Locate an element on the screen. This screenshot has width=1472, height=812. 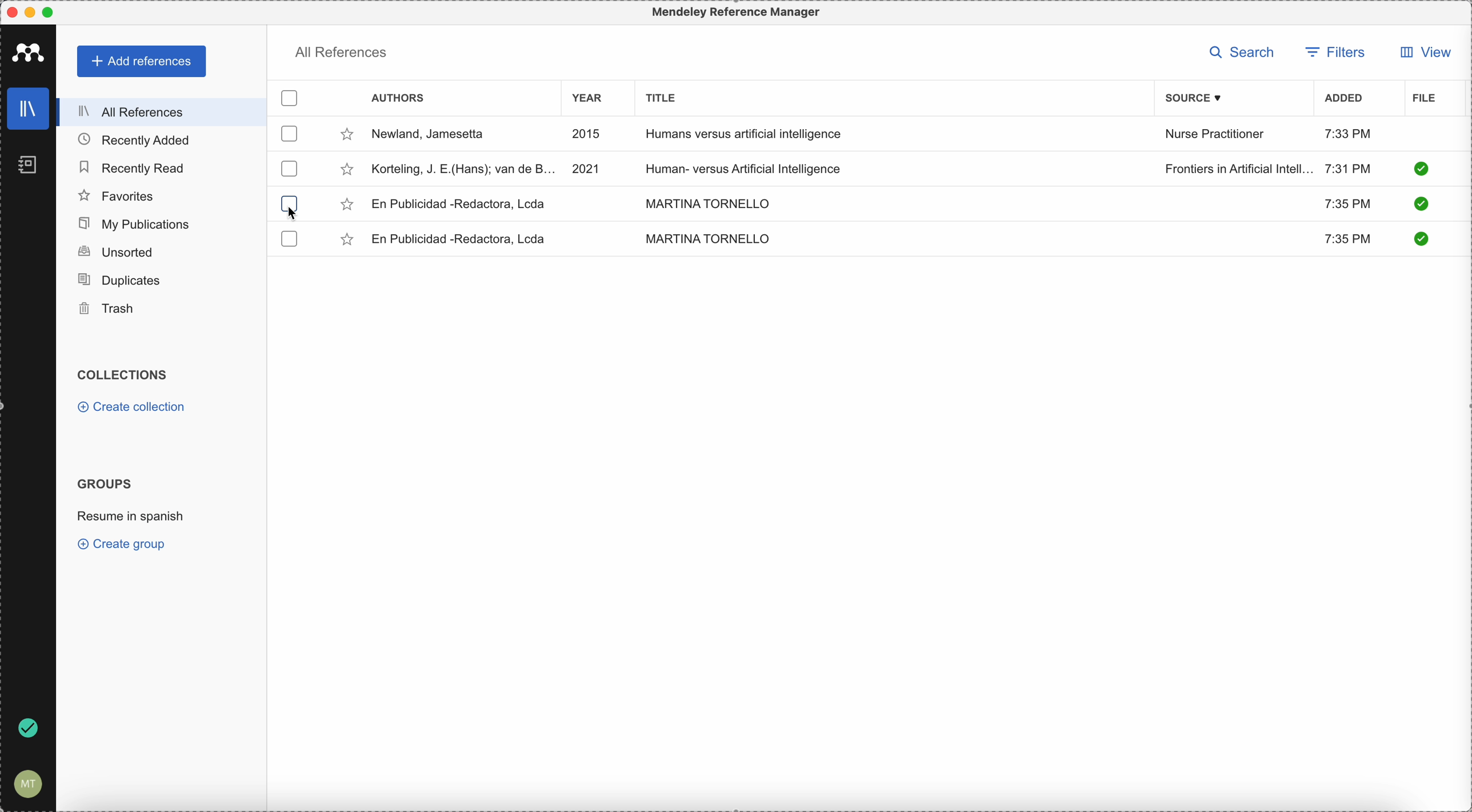
checkbox is located at coordinates (289, 198).